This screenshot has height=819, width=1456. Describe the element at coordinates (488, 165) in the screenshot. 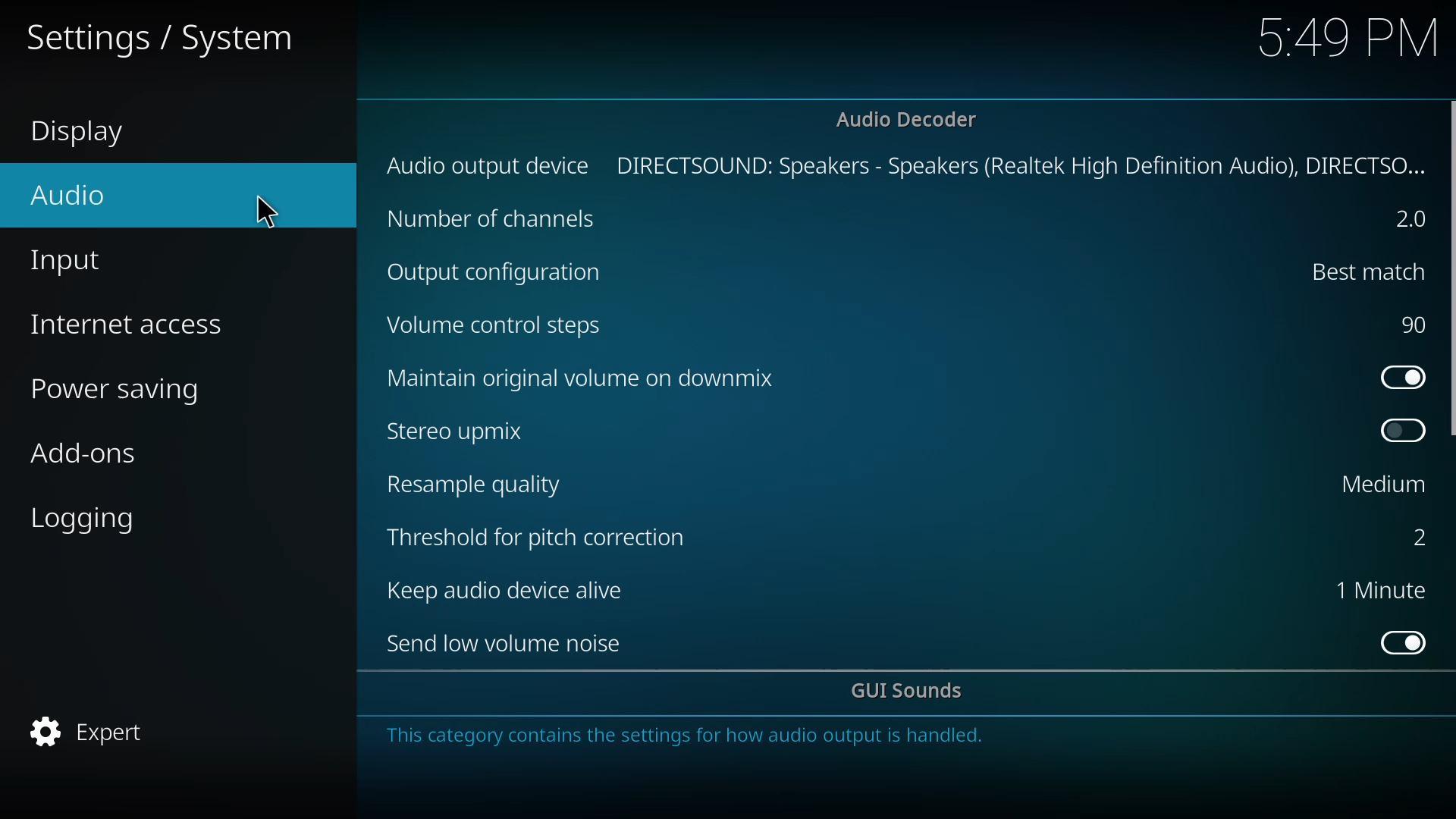

I see `audio output device` at that location.